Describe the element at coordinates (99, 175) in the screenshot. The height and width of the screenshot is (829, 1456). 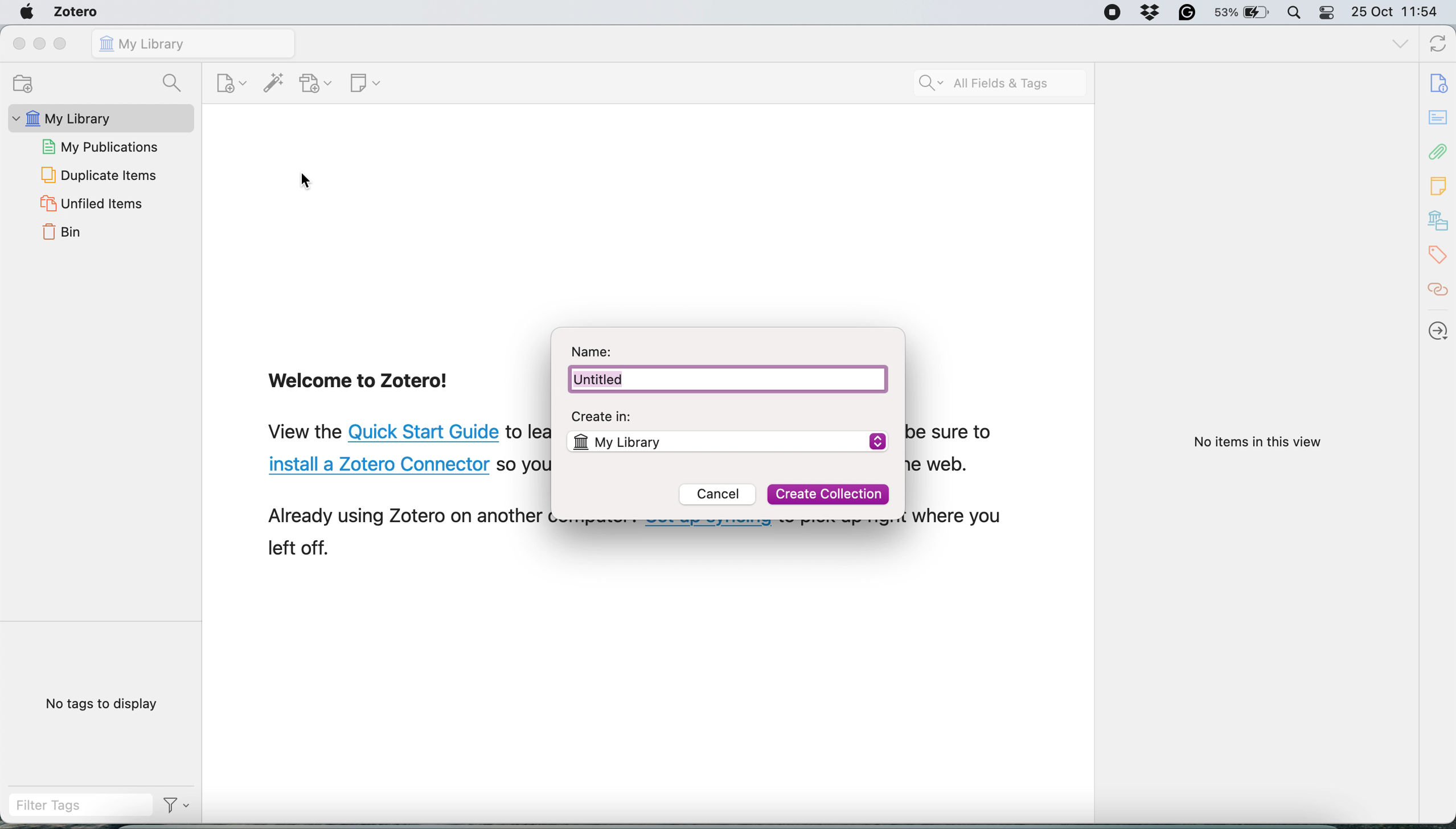
I see `duplicate items` at that location.